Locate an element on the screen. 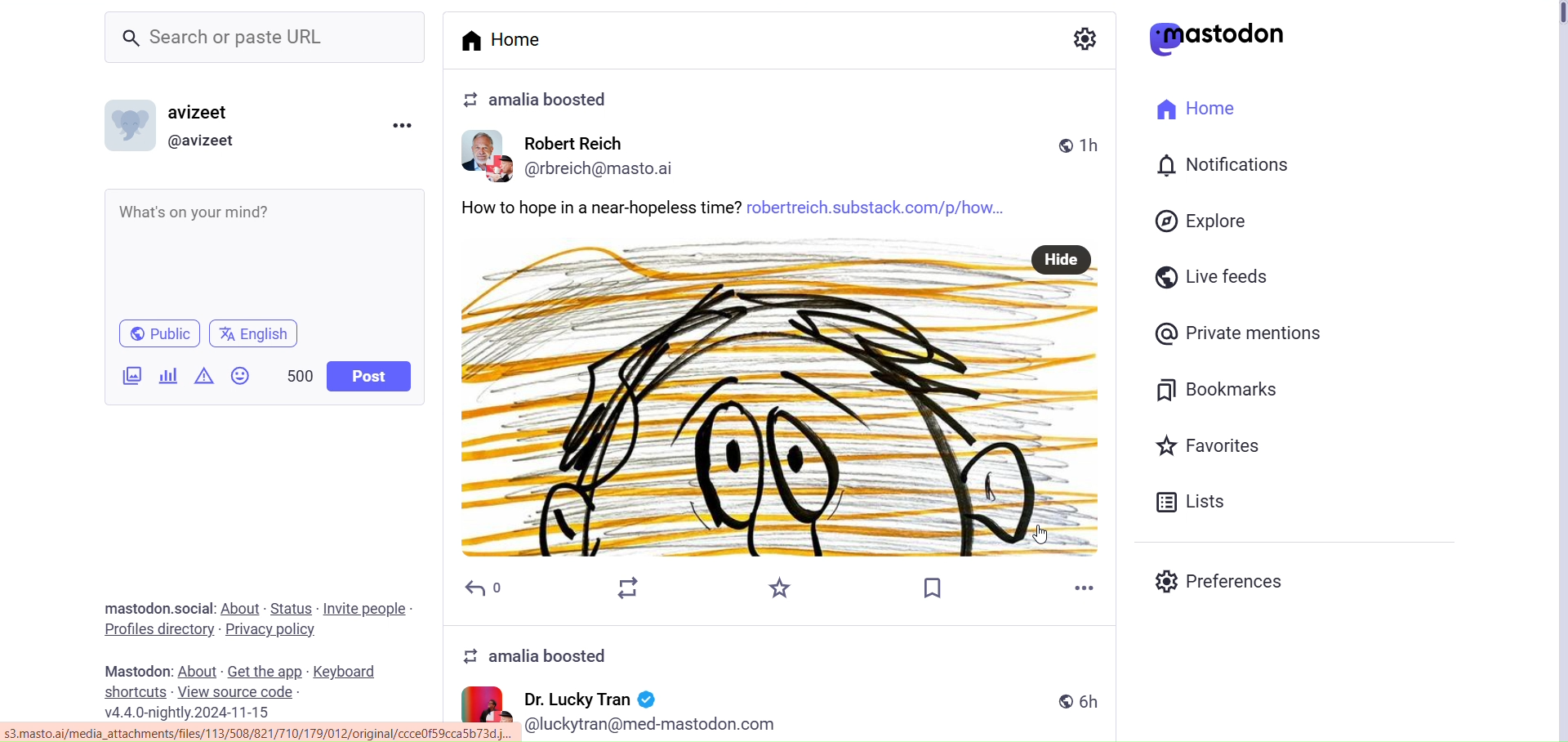  link is located at coordinates (879, 205).